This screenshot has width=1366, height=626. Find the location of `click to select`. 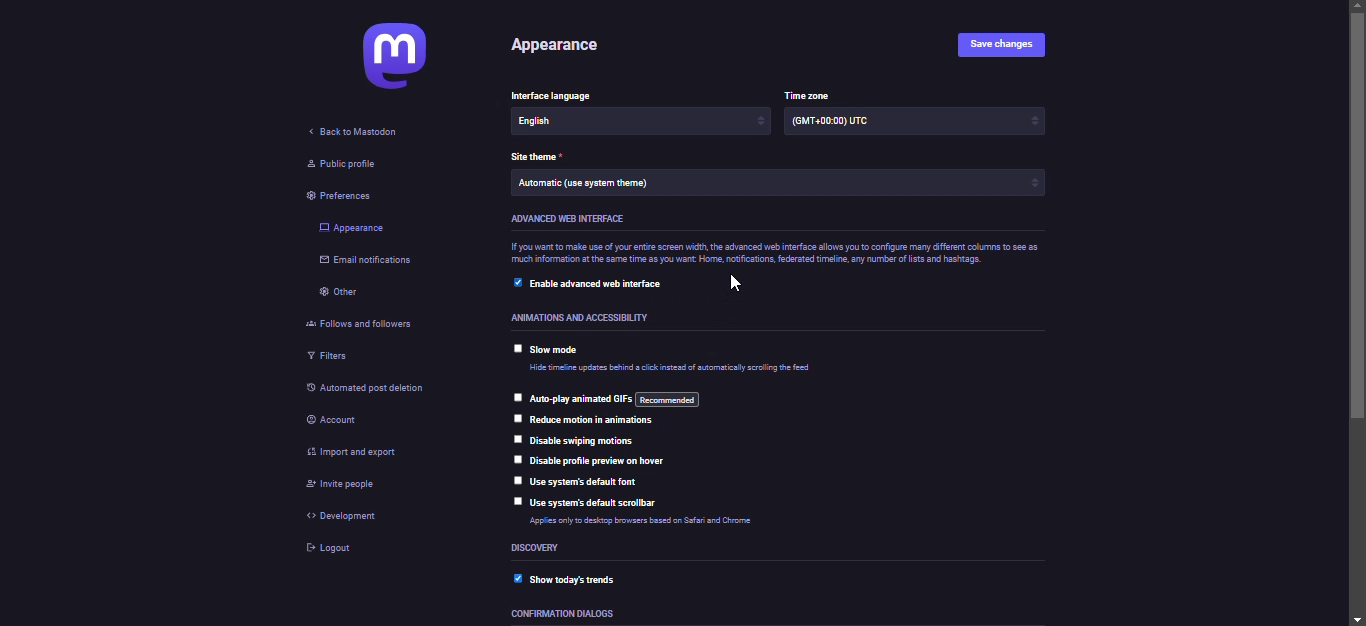

click to select is located at coordinates (516, 501).